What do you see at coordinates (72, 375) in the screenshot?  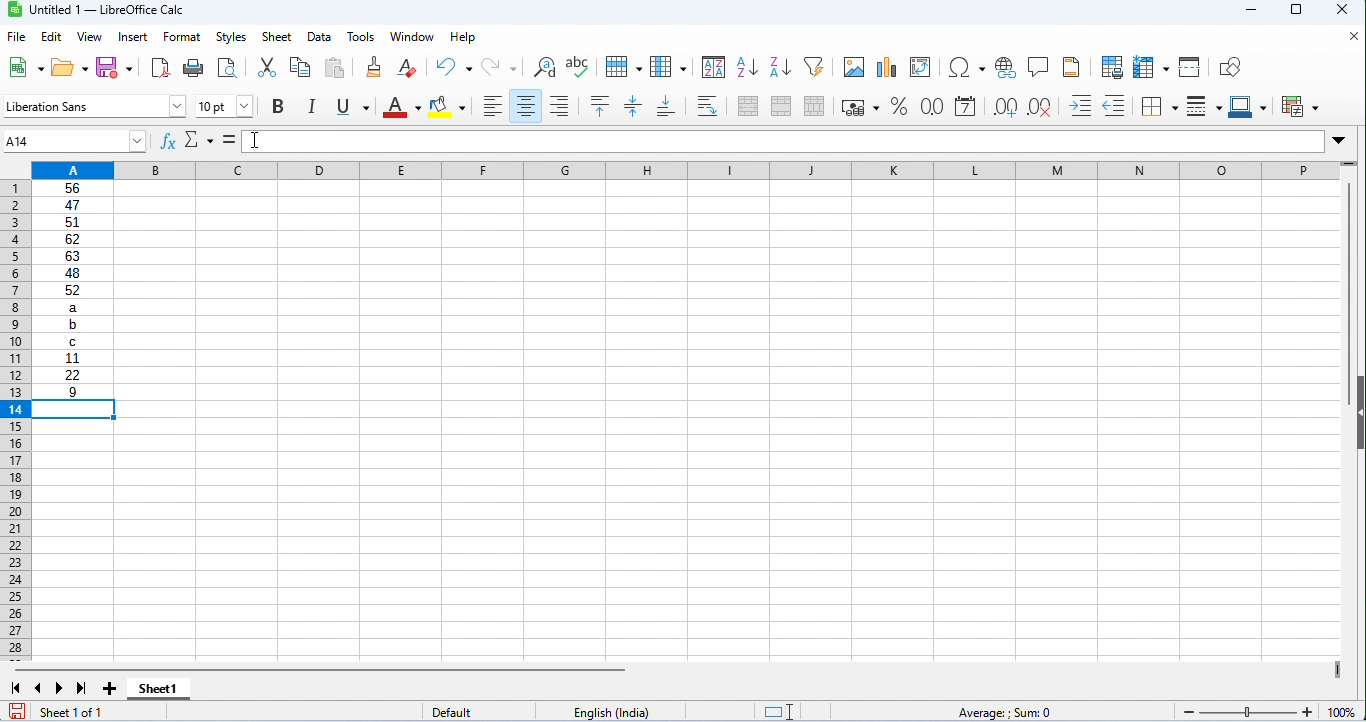 I see `22` at bounding box center [72, 375].